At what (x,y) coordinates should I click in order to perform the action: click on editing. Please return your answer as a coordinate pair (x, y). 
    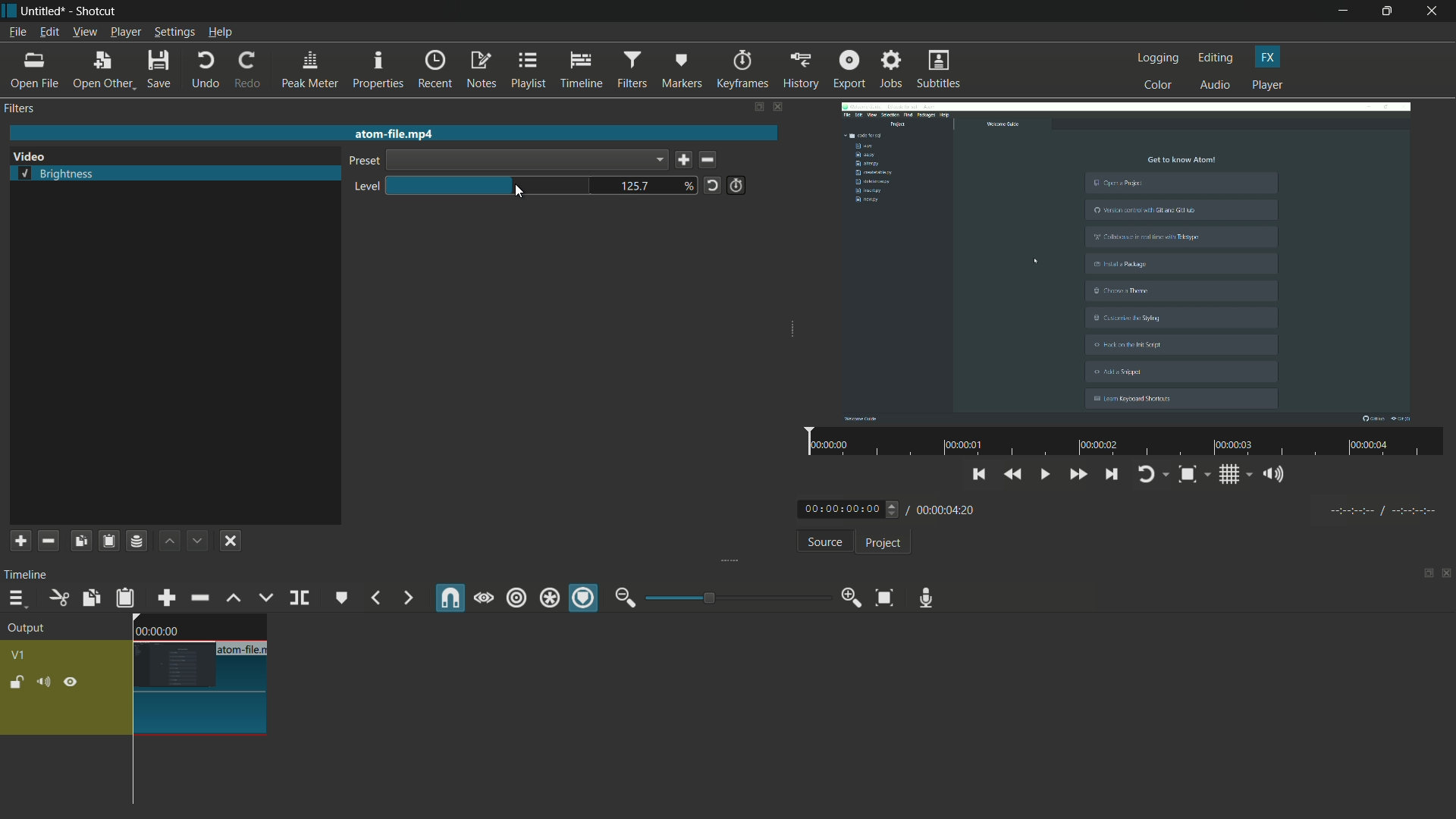
    Looking at the image, I should click on (1216, 58).